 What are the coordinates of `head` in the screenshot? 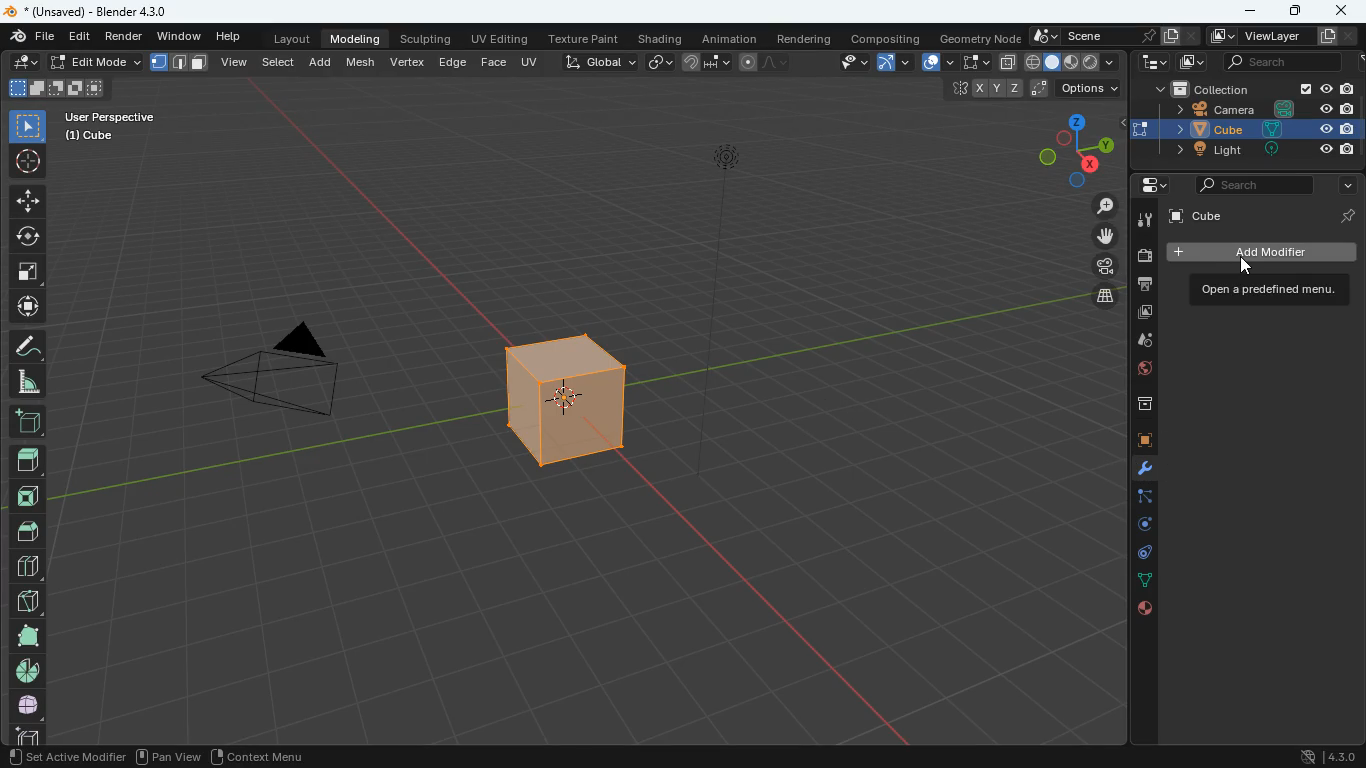 It's located at (27, 460).